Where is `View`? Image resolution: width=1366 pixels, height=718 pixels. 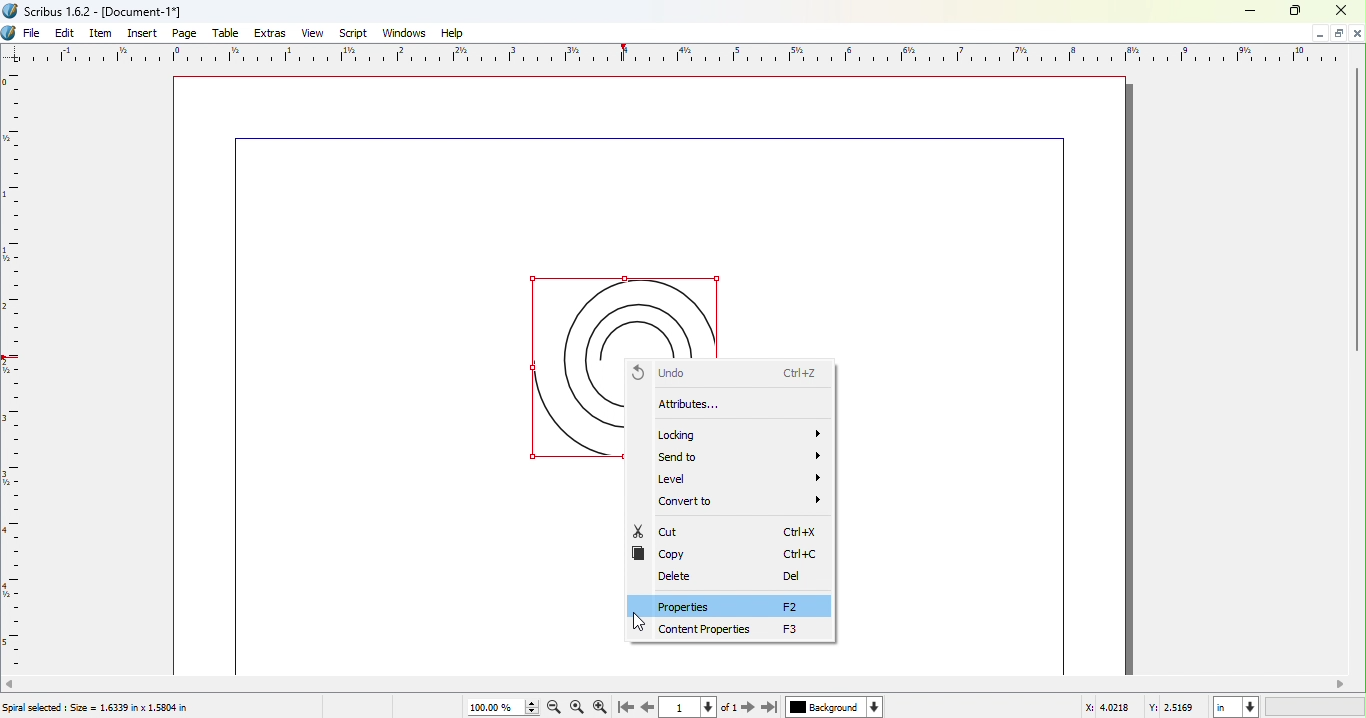
View is located at coordinates (316, 33).